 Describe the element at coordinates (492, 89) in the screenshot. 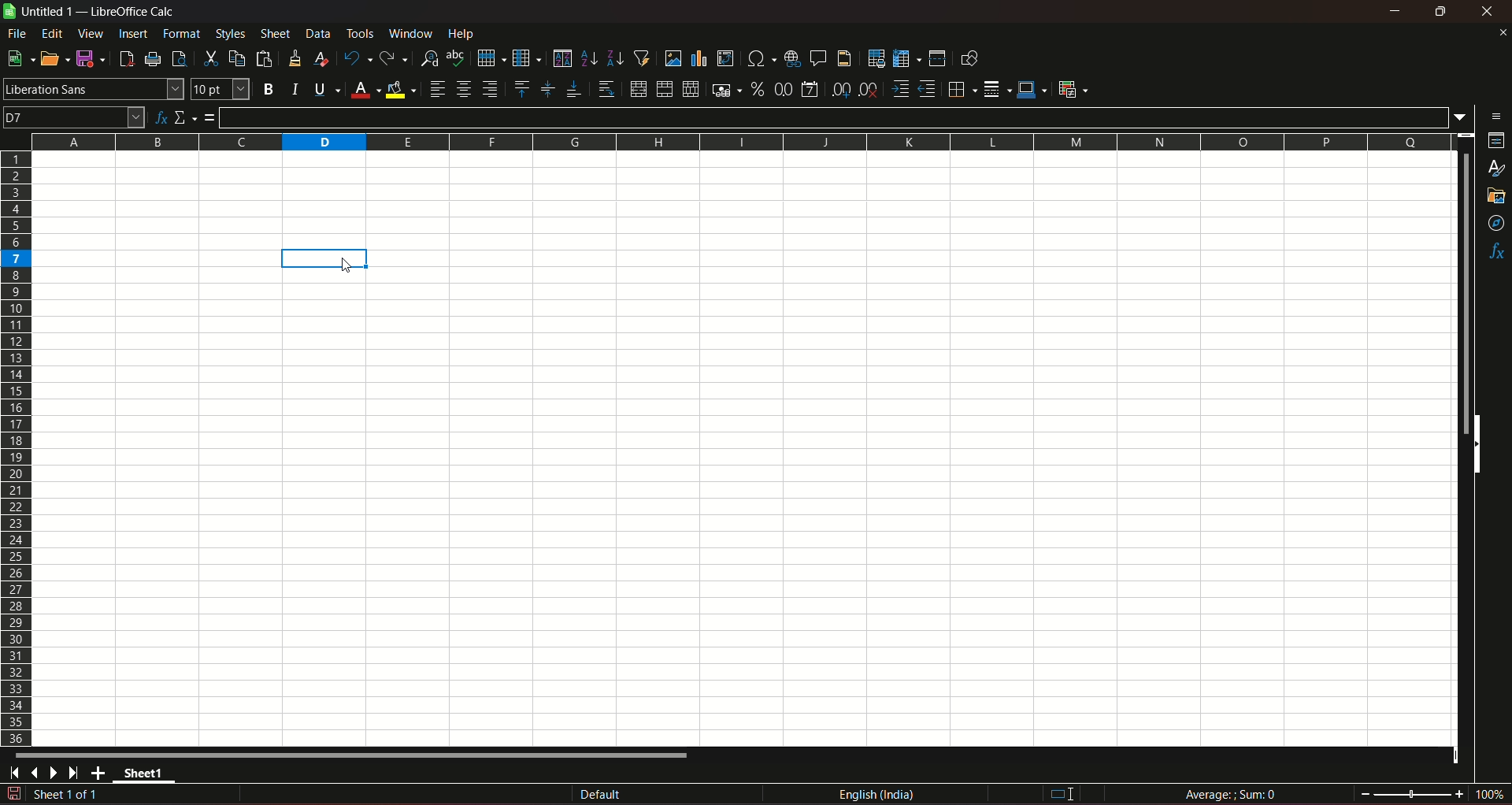

I see `align right` at that location.